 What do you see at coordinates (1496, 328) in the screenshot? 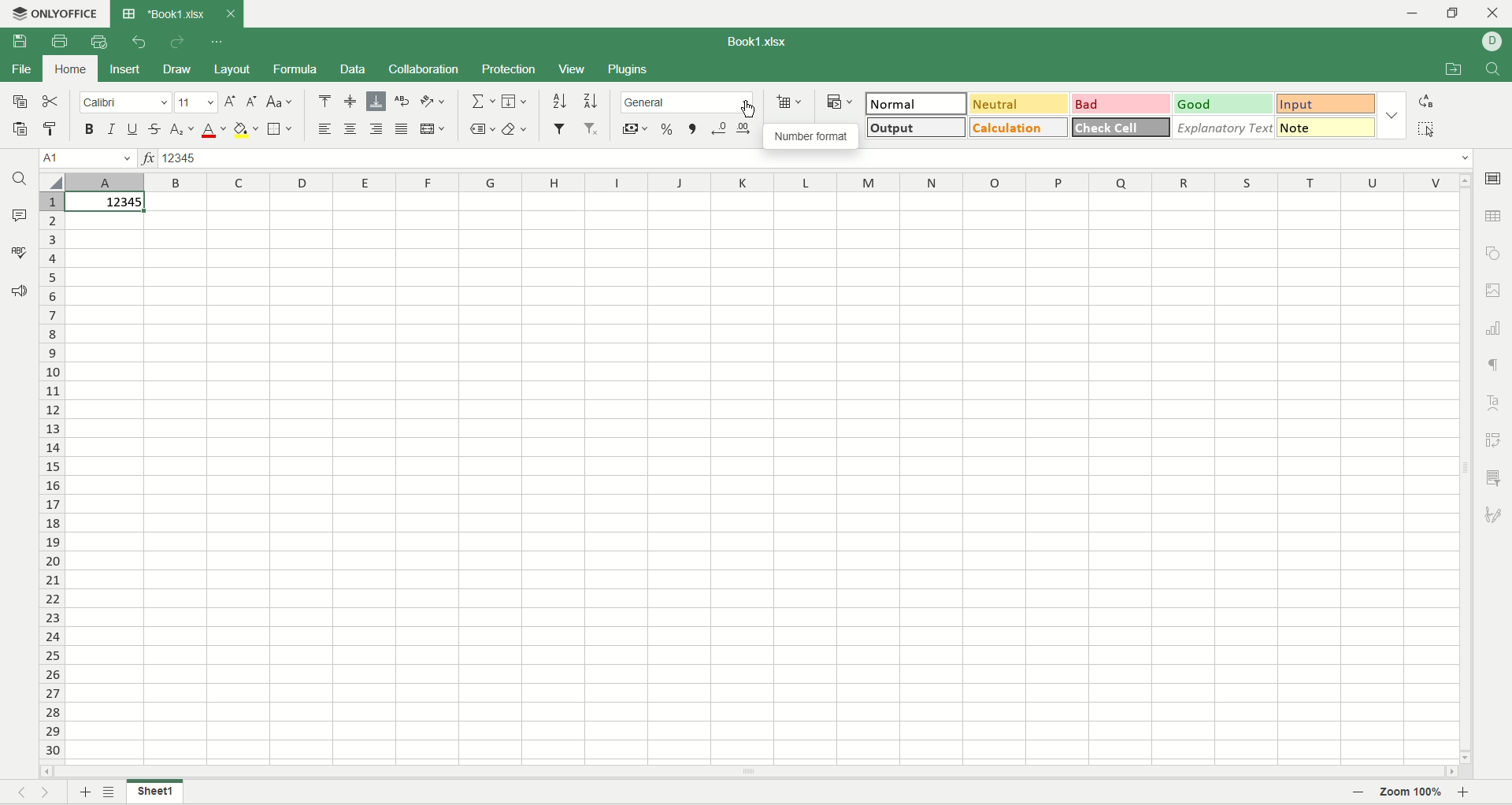
I see `graph settings` at bounding box center [1496, 328].